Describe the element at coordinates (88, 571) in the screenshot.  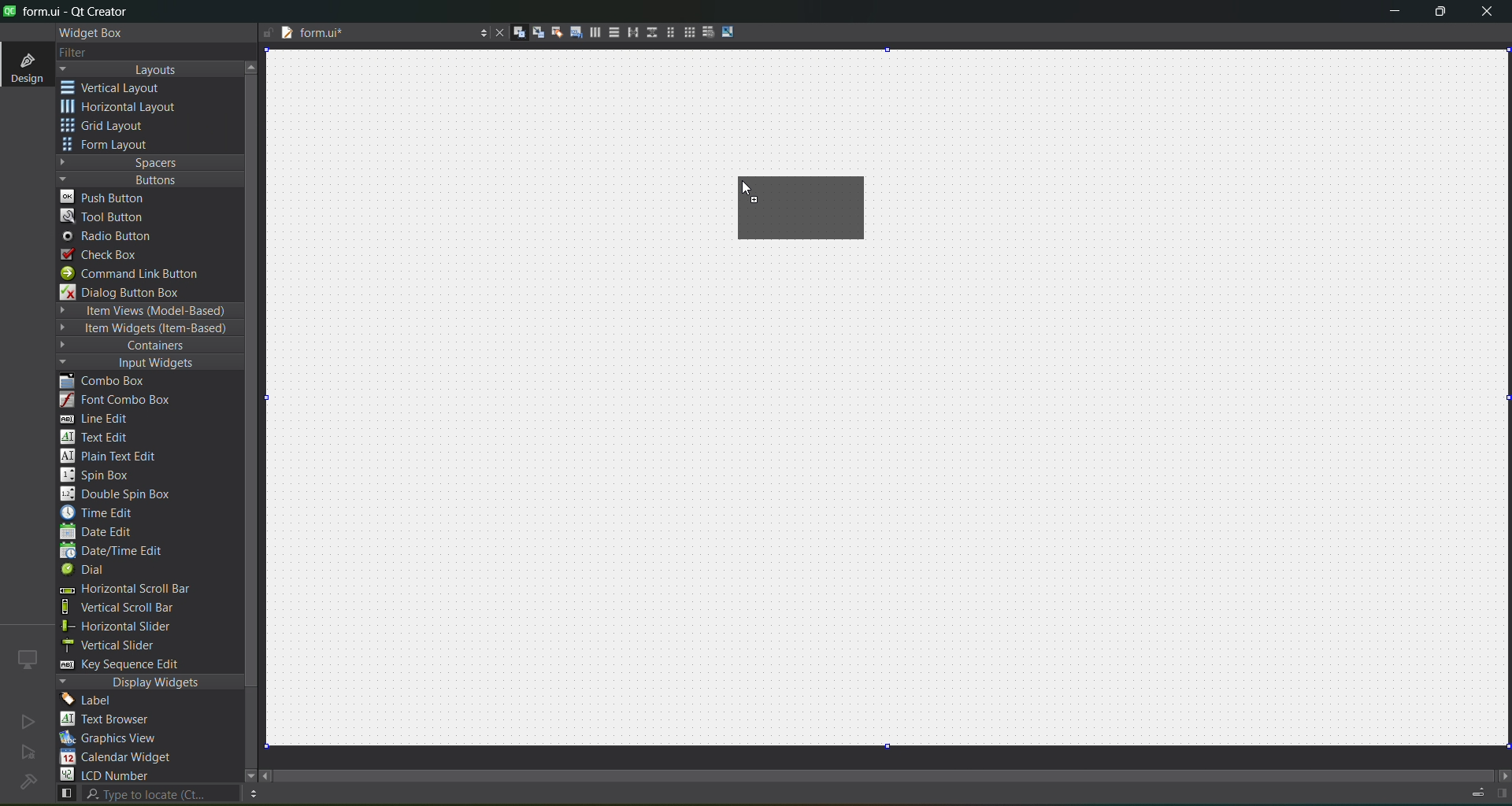
I see `dial` at that location.